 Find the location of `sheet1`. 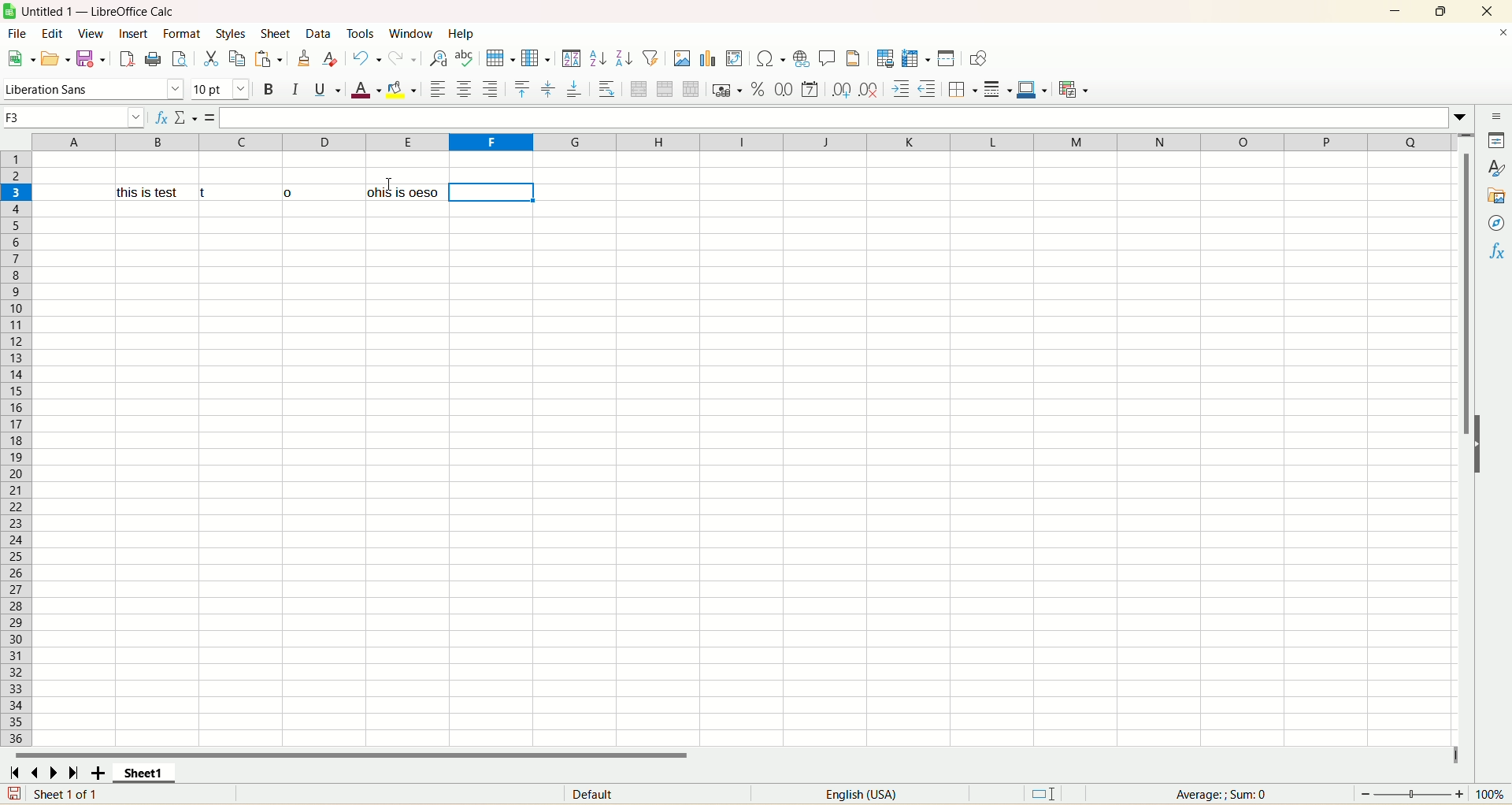

sheet1 is located at coordinates (157, 770).